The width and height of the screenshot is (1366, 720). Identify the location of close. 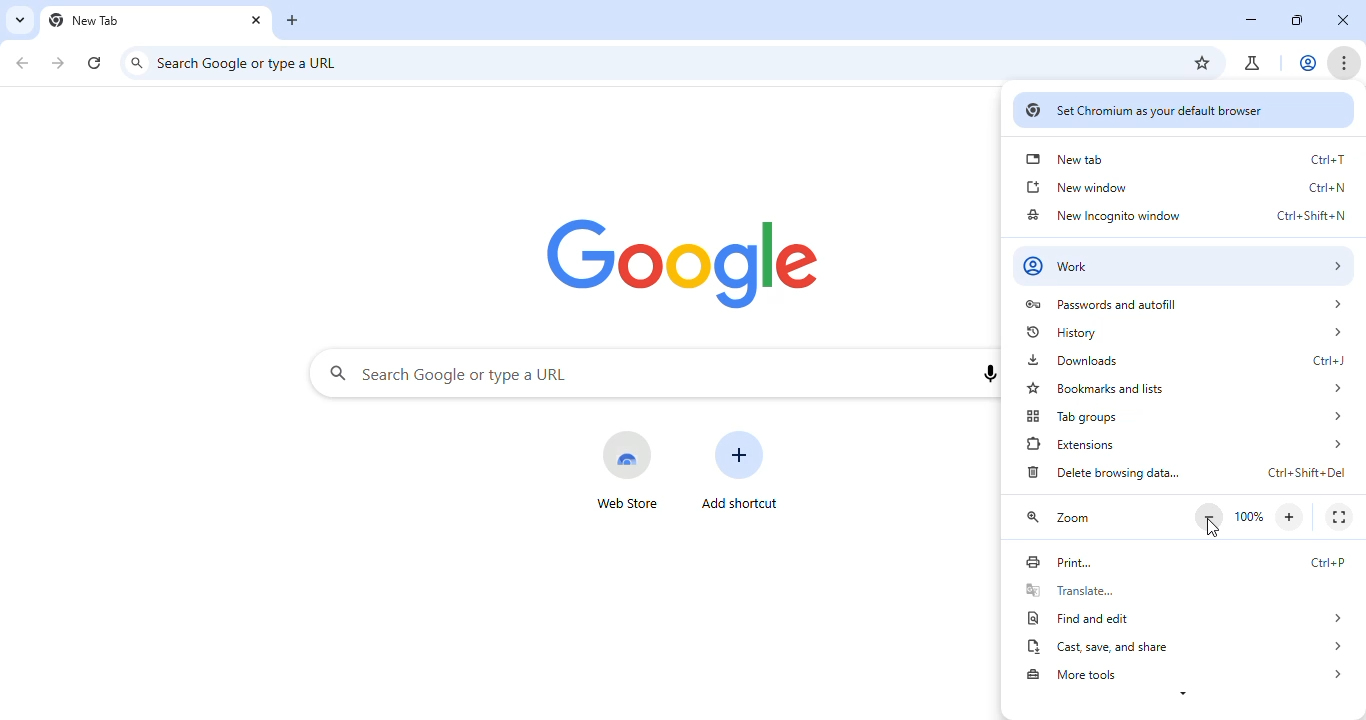
(1343, 21).